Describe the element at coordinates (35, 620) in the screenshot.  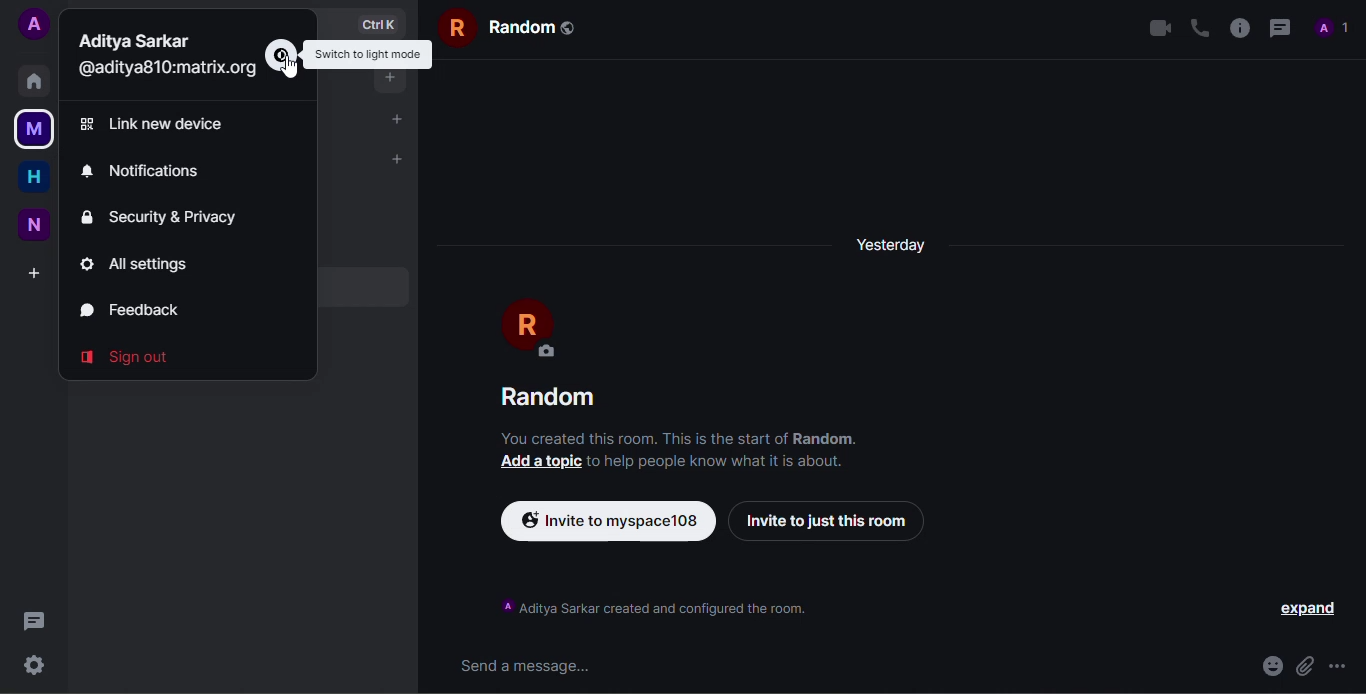
I see `threads` at that location.